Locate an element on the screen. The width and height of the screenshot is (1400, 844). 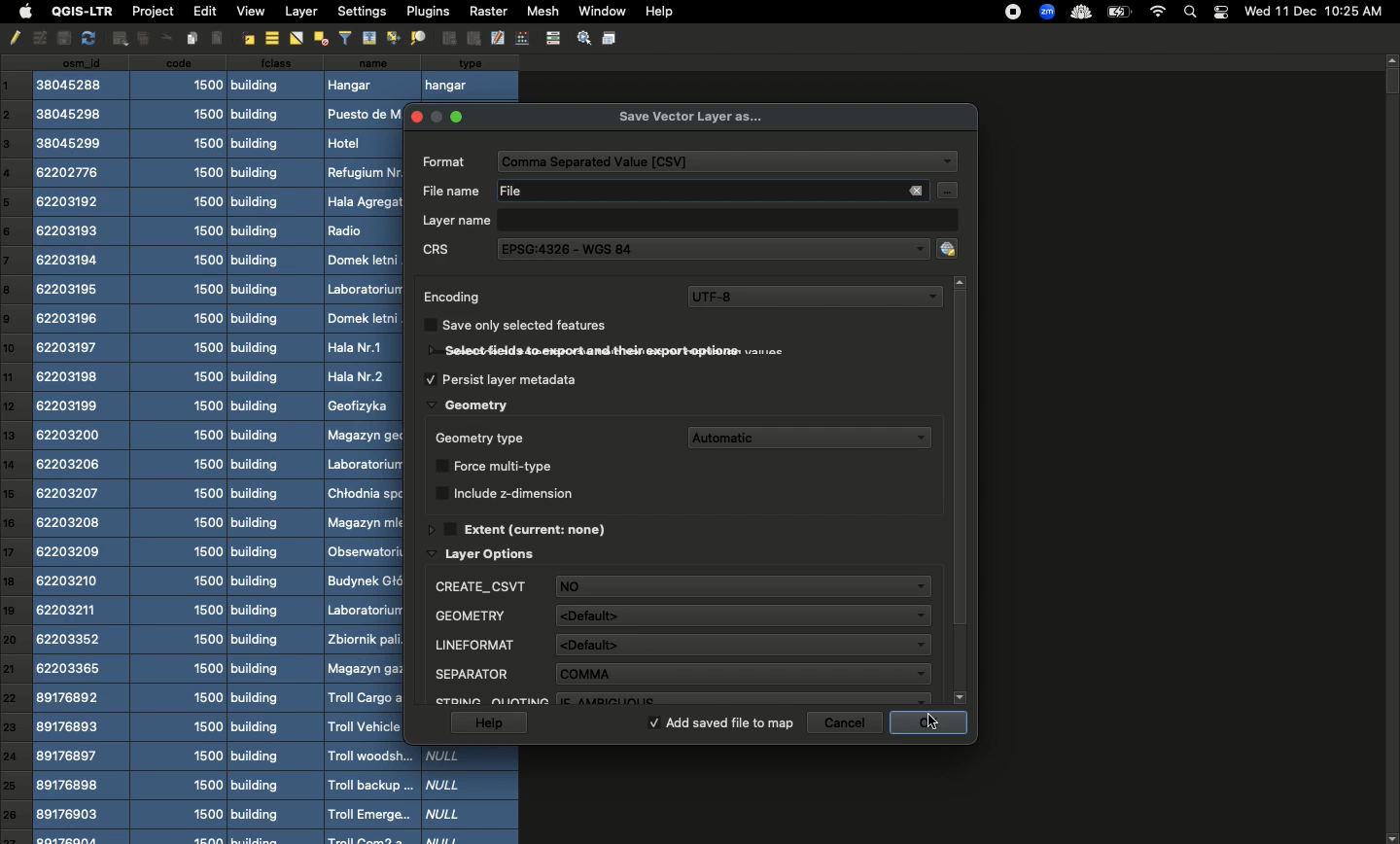
Window is located at coordinates (599, 10).